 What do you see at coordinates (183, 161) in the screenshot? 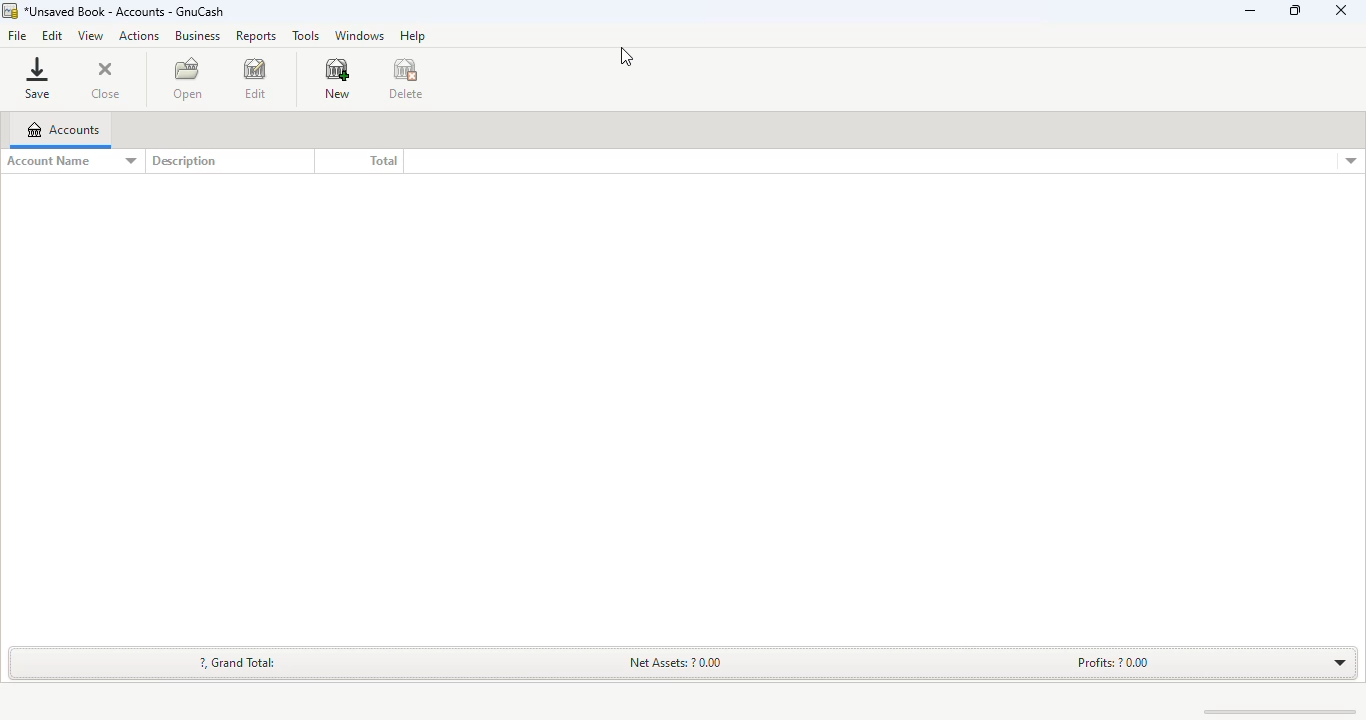
I see `description` at bounding box center [183, 161].